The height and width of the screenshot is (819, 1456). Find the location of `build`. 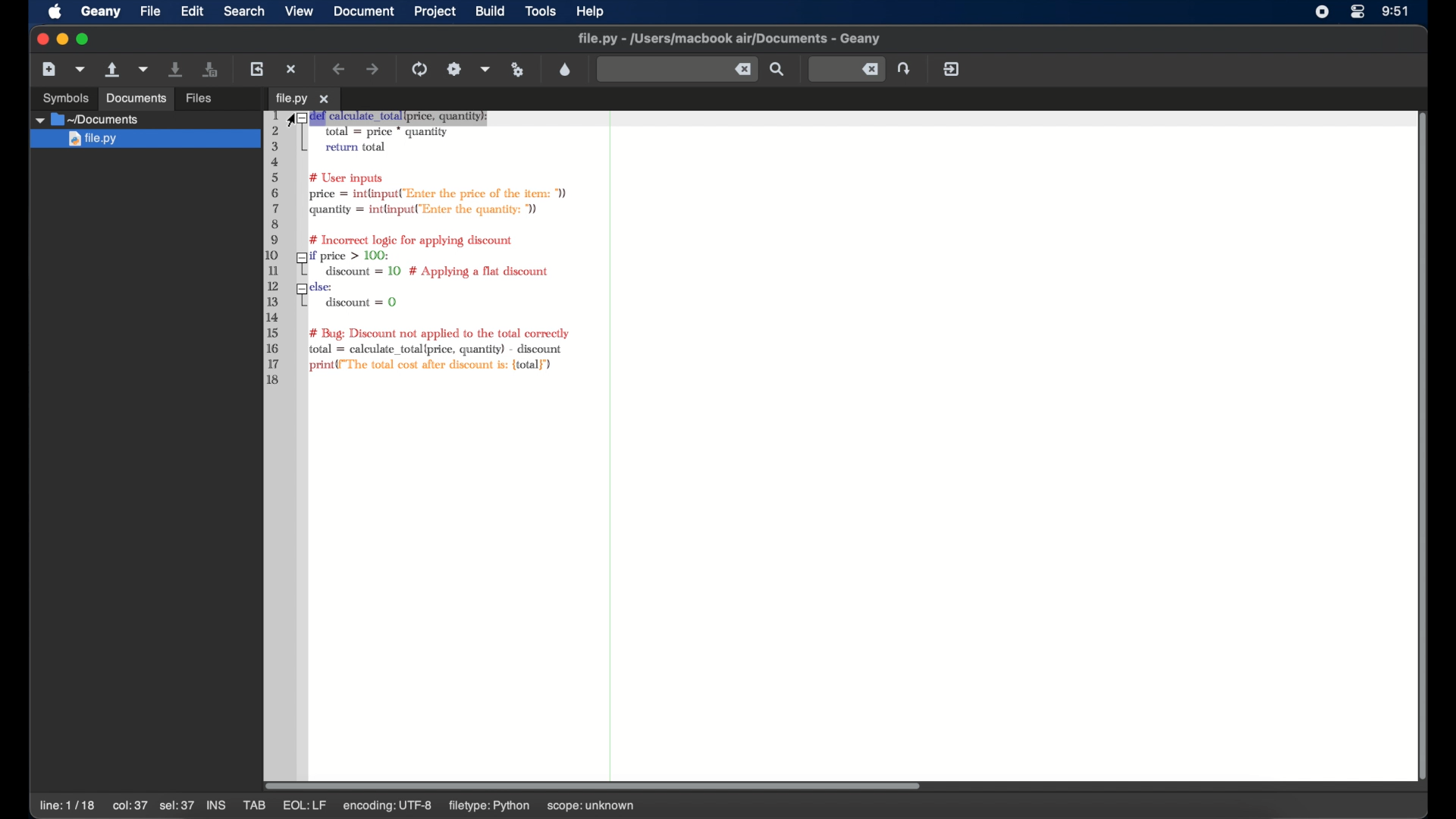

build is located at coordinates (491, 11).